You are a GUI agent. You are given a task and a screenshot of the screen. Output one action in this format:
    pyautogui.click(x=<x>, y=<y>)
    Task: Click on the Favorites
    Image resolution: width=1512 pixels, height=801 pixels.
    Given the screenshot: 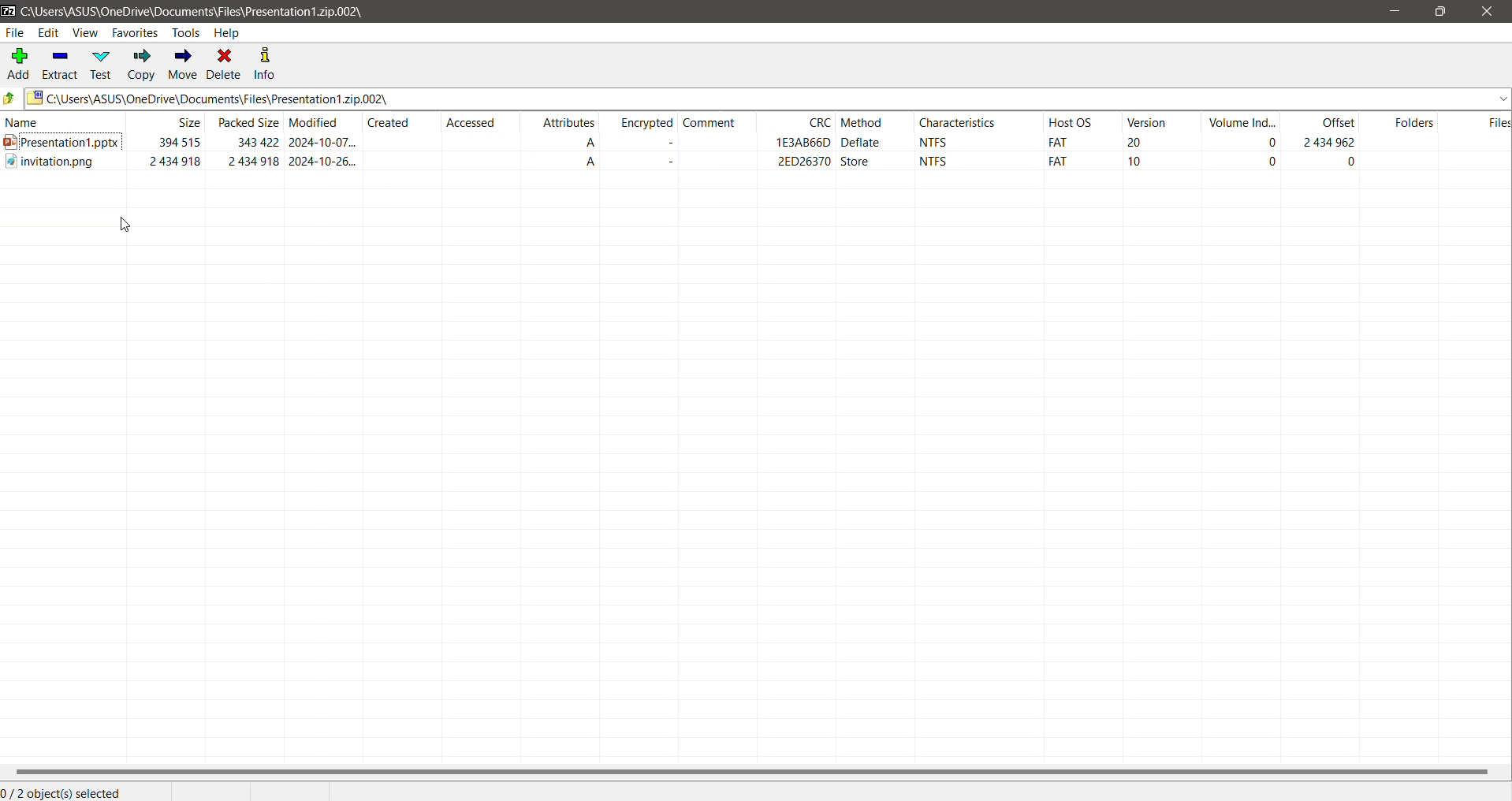 What is the action you would take?
    pyautogui.click(x=135, y=32)
    